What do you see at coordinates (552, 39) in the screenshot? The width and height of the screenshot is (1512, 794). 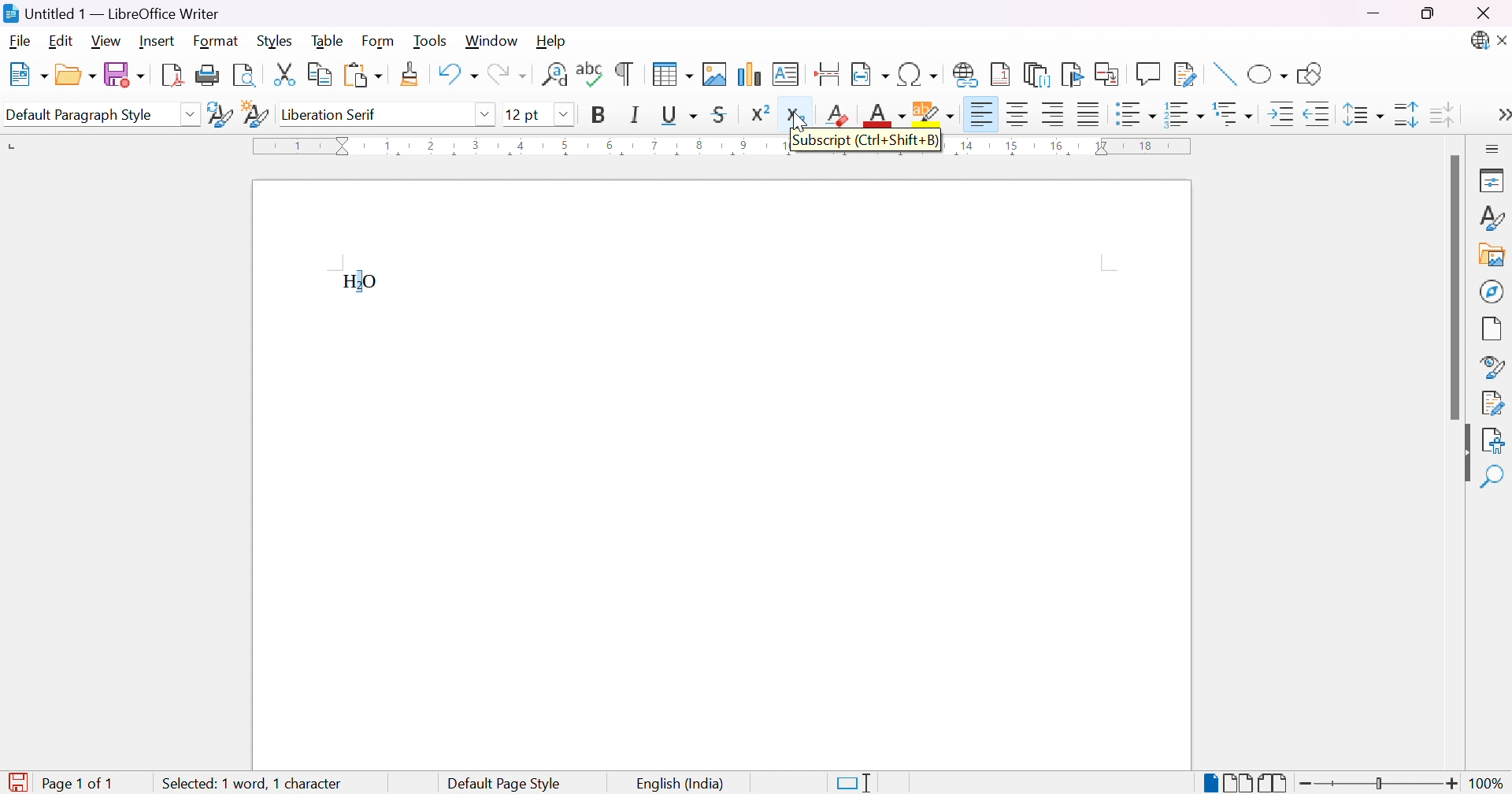 I see `Help` at bounding box center [552, 39].